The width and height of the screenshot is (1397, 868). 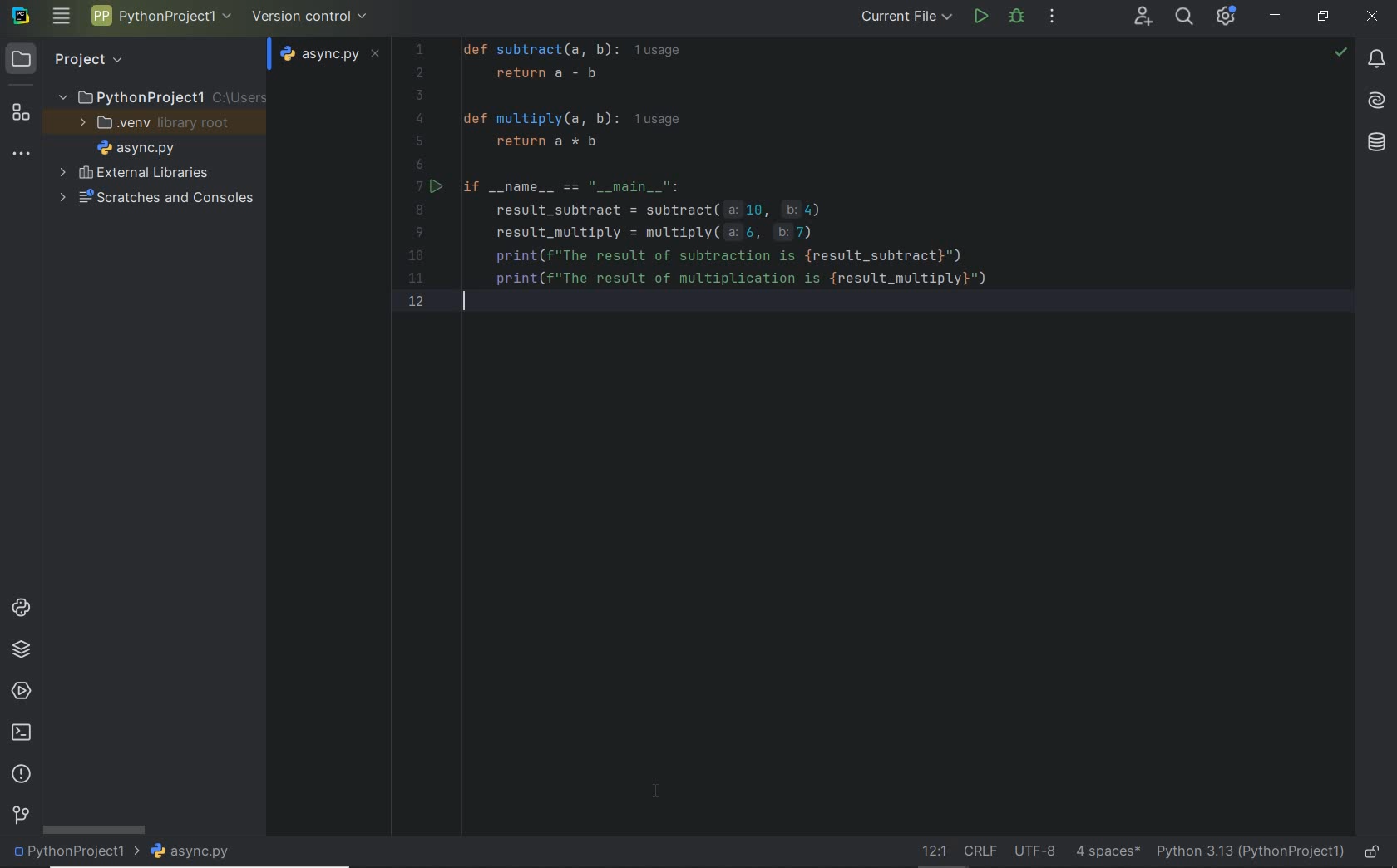 I want to click on code with me, so click(x=1143, y=19).